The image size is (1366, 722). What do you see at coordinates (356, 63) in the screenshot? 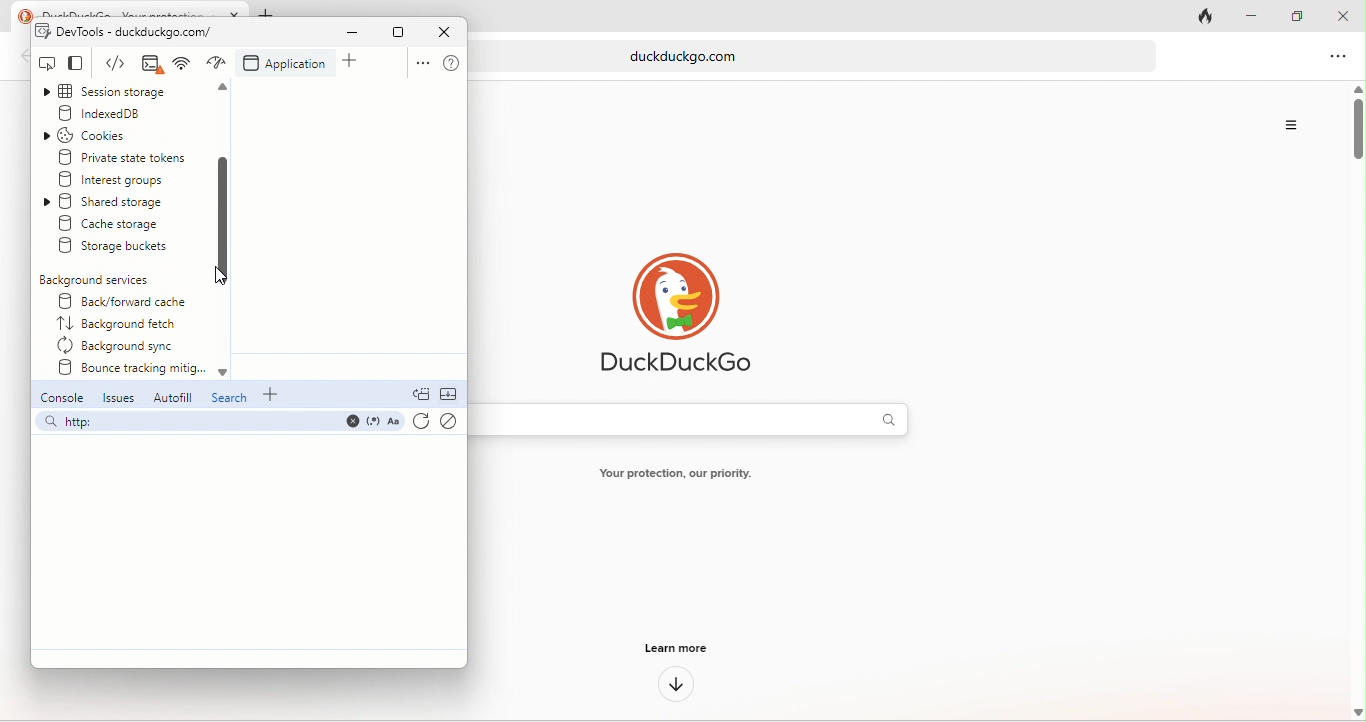
I see `add` at bounding box center [356, 63].